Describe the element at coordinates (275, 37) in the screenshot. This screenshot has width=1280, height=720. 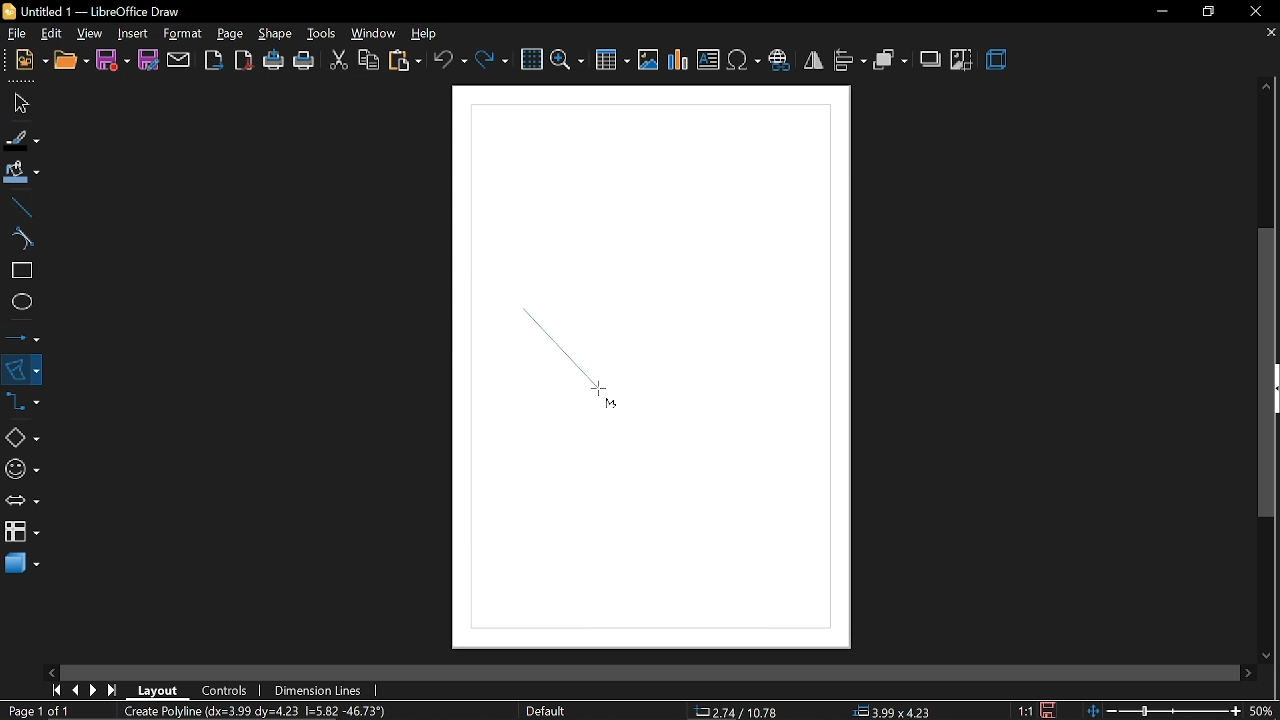
I see `shape` at that location.